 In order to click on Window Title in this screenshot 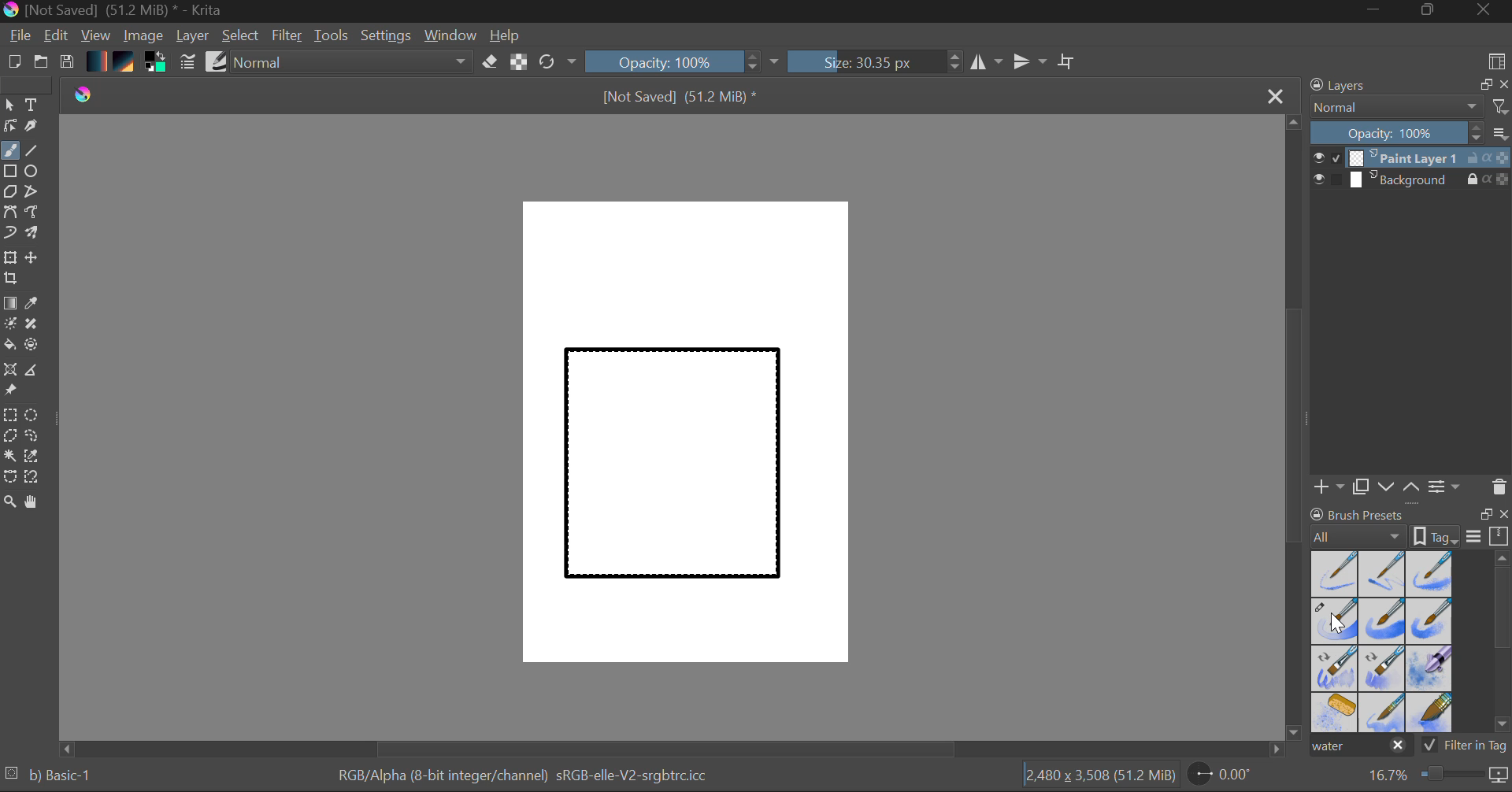, I will do `click(115, 11)`.